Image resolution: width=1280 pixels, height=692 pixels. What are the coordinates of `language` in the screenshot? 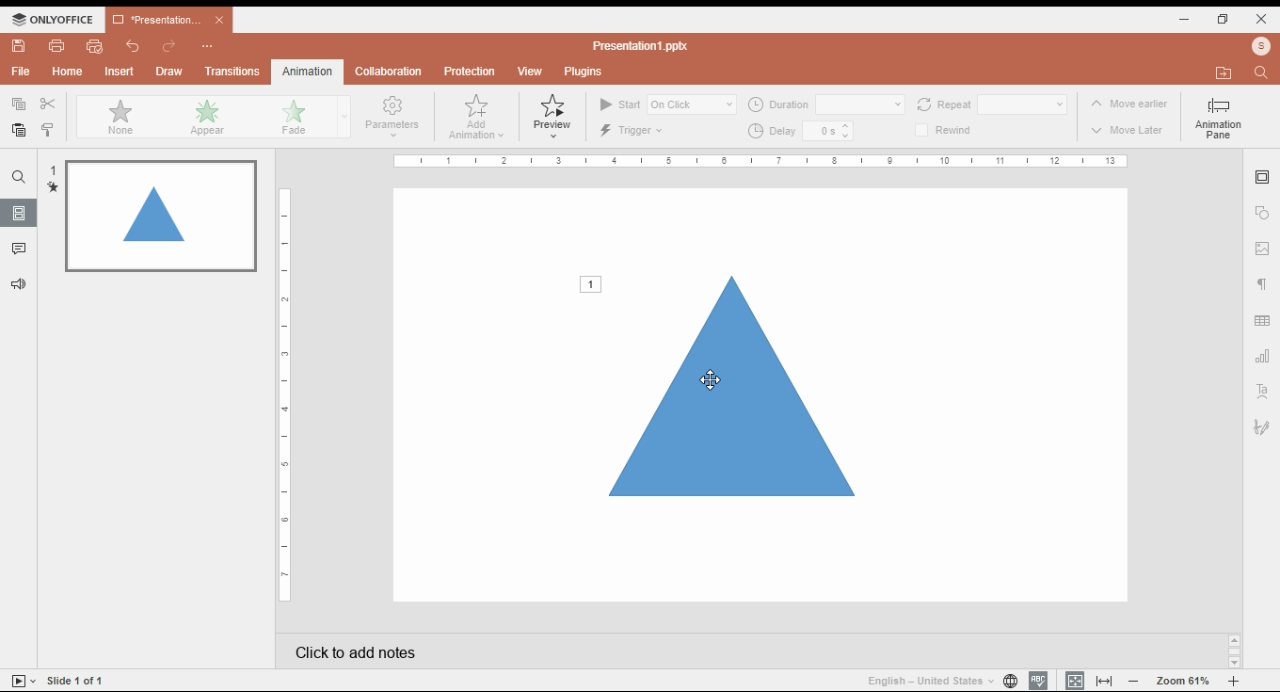 It's located at (926, 679).